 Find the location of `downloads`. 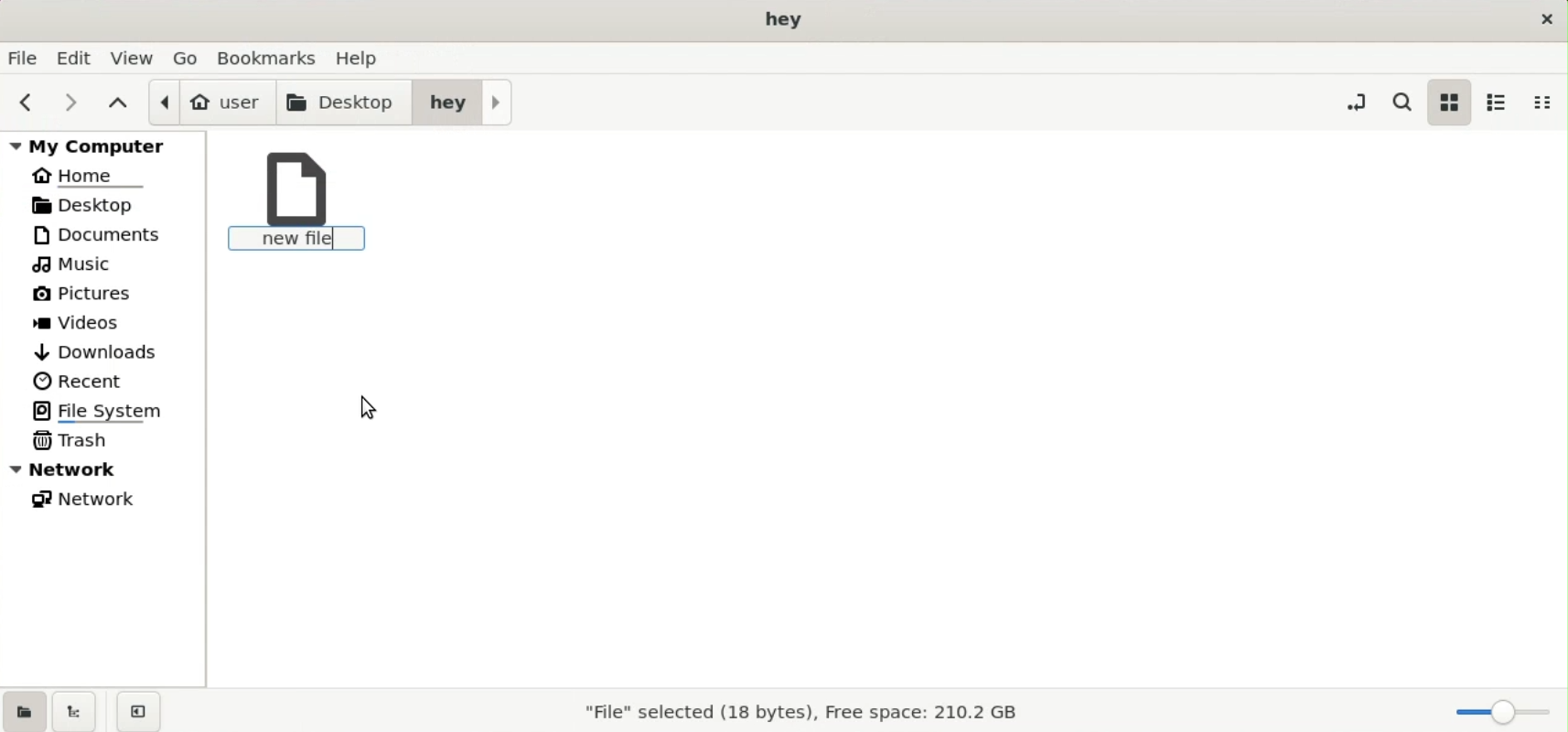

downloads is located at coordinates (98, 350).